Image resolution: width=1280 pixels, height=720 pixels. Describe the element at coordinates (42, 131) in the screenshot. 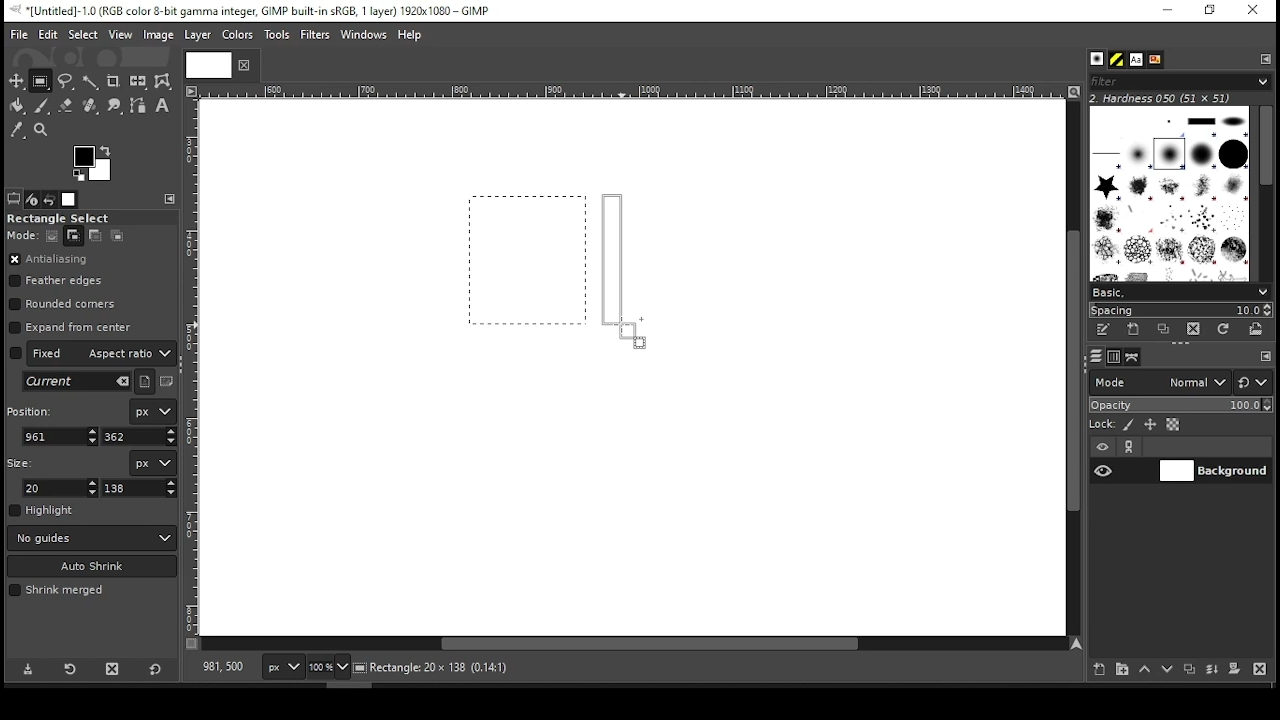

I see `zoom tool` at that location.